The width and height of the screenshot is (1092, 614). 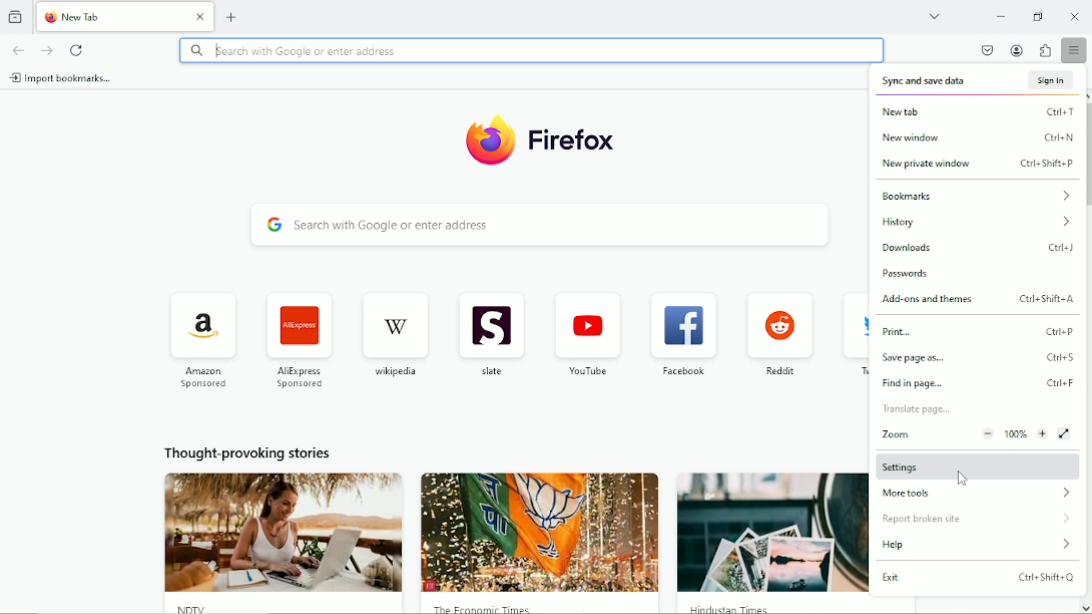 What do you see at coordinates (15, 18) in the screenshot?
I see `view recent browsing` at bounding box center [15, 18].